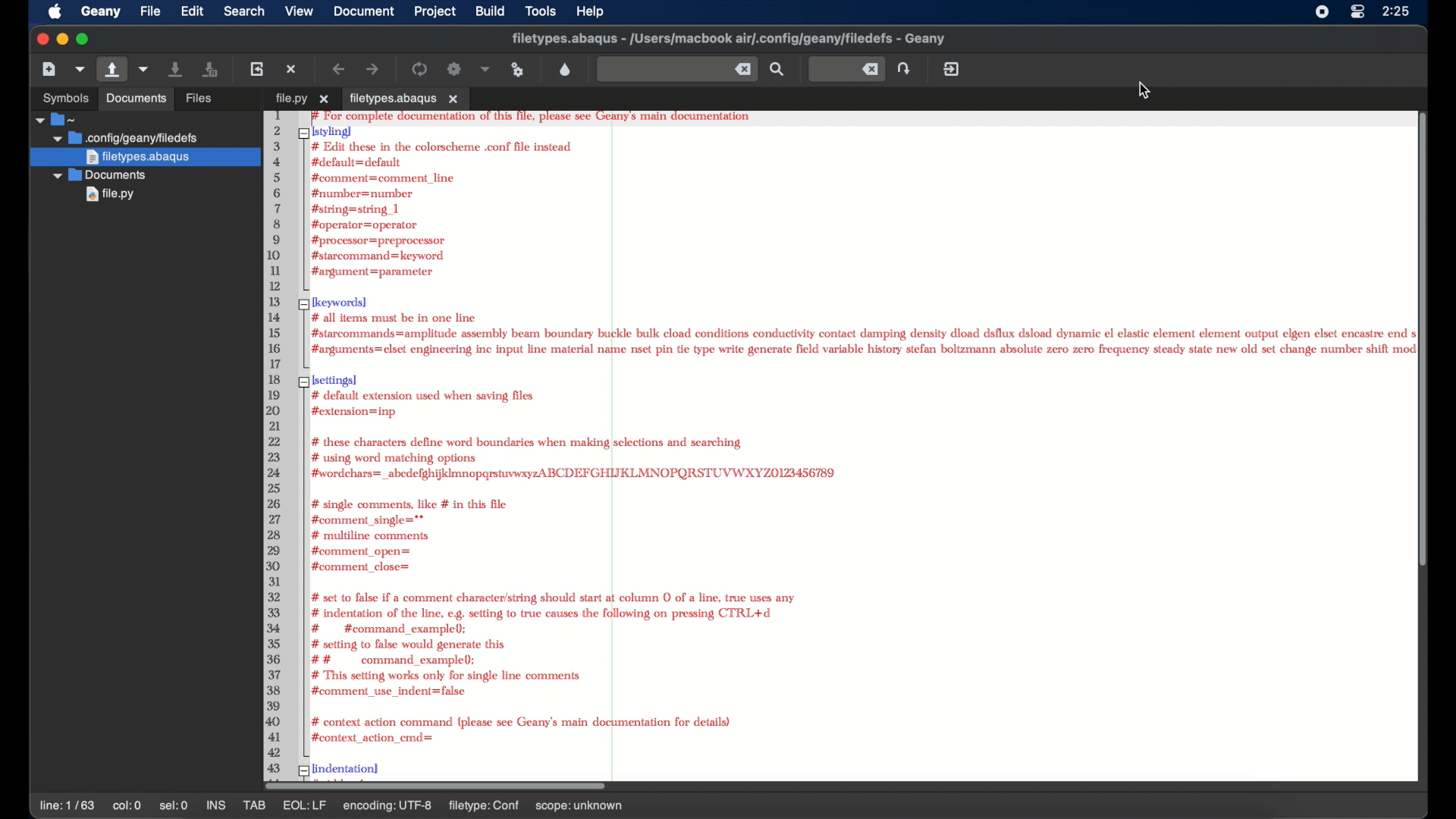 This screenshot has width=1456, height=819. What do you see at coordinates (436, 11) in the screenshot?
I see `project` at bounding box center [436, 11].